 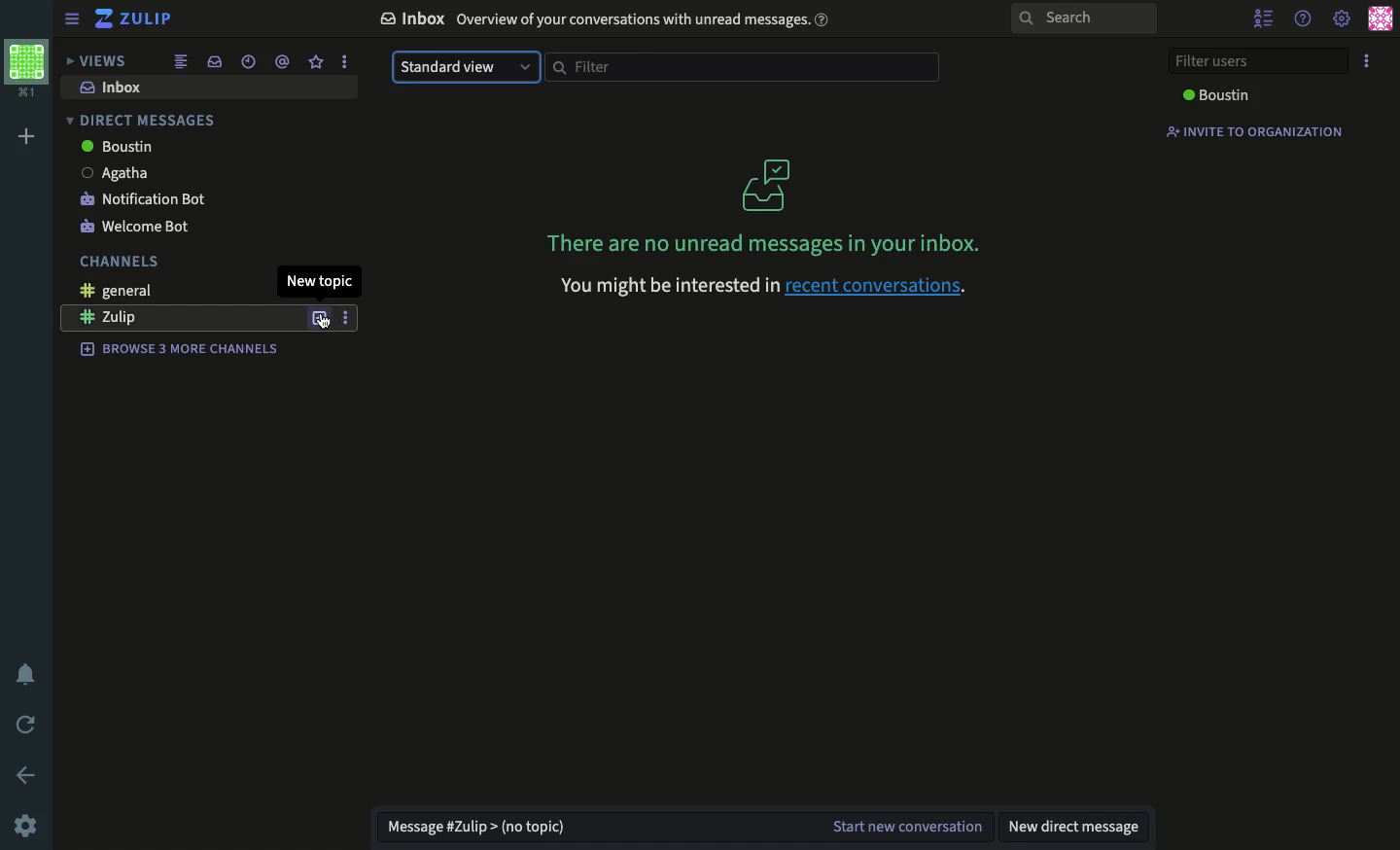 What do you see at coordinates (142, 199) in the screenshot?
I see `notification bot` at bounding box center [142, 199].